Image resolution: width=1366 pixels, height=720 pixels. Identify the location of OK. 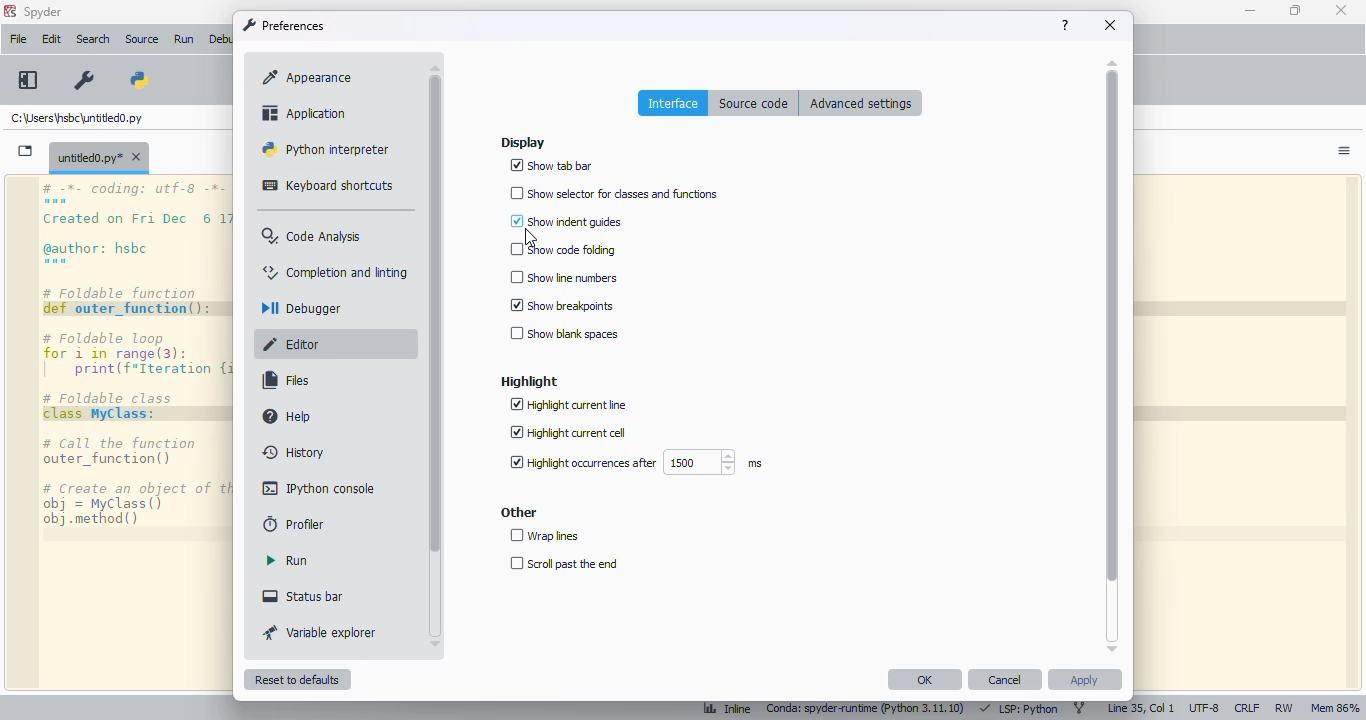
(926, 679).